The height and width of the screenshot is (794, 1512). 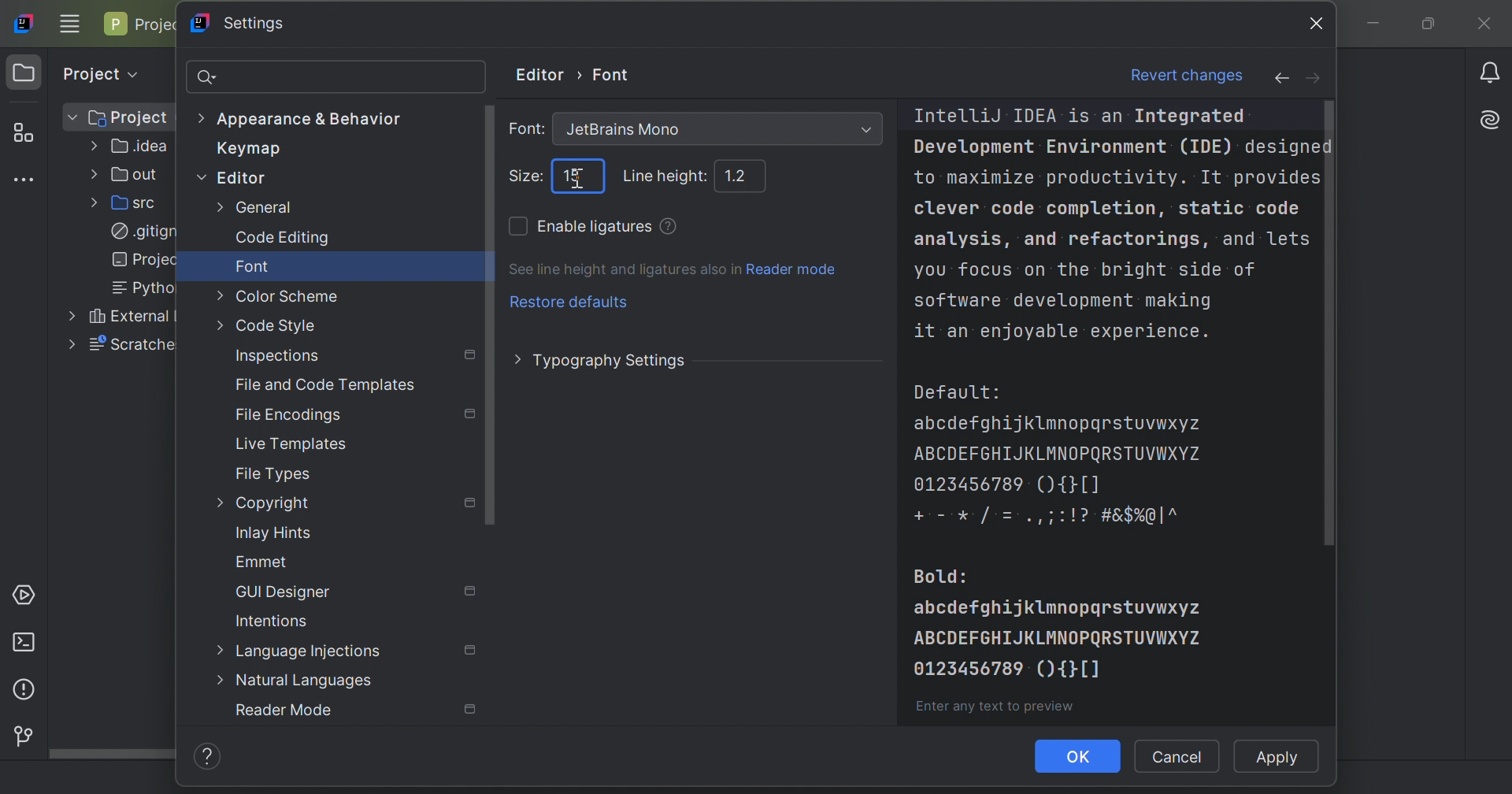 I want to click on .idea, so click(x=132, y=149).